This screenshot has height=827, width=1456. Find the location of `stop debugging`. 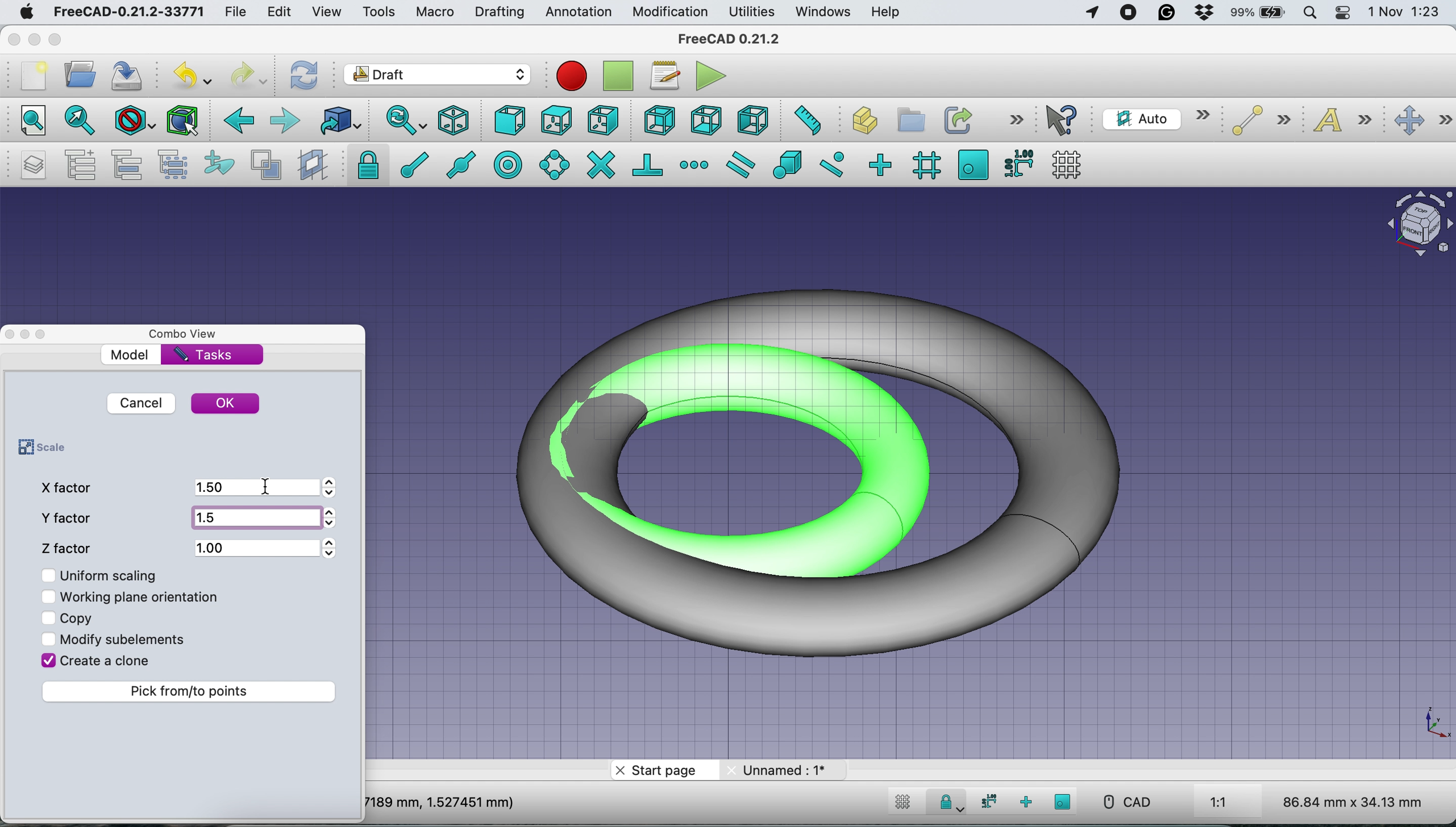

stop debugging is located at coordinates (615, 76).